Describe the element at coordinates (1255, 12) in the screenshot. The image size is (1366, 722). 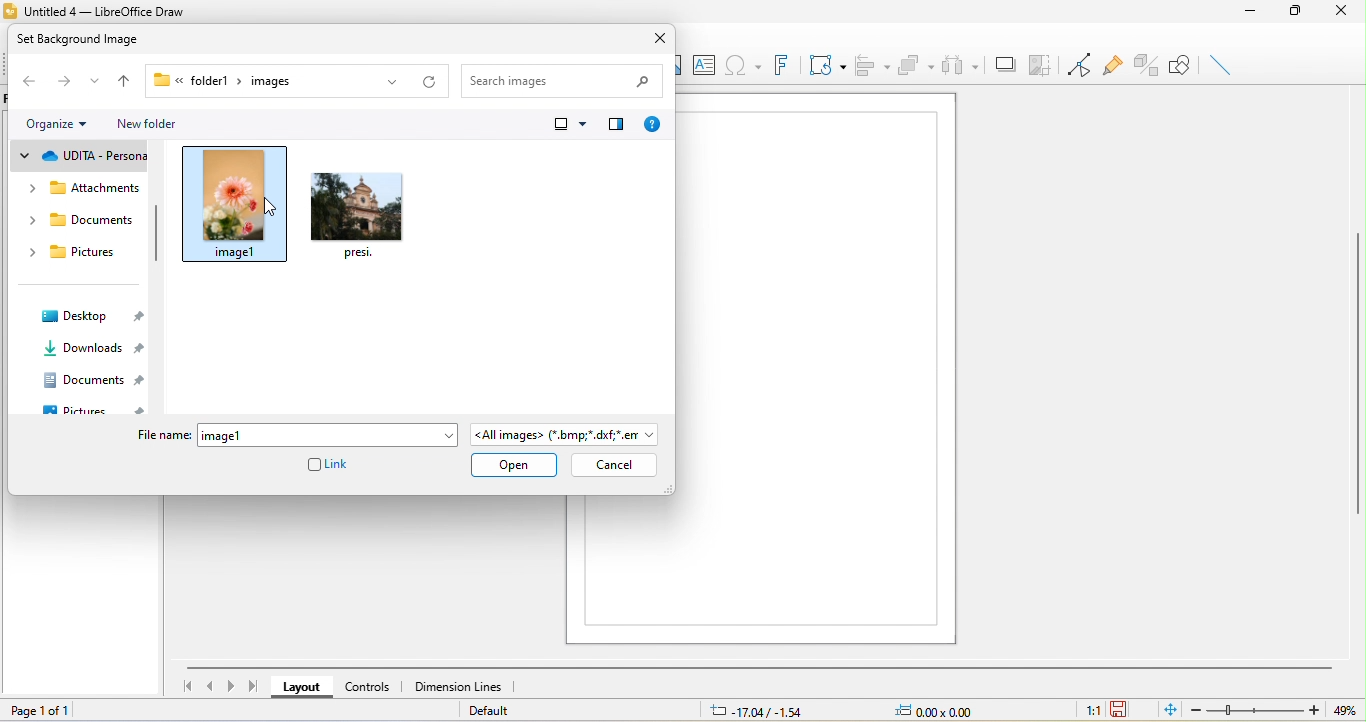
I see `minimize` at that location.